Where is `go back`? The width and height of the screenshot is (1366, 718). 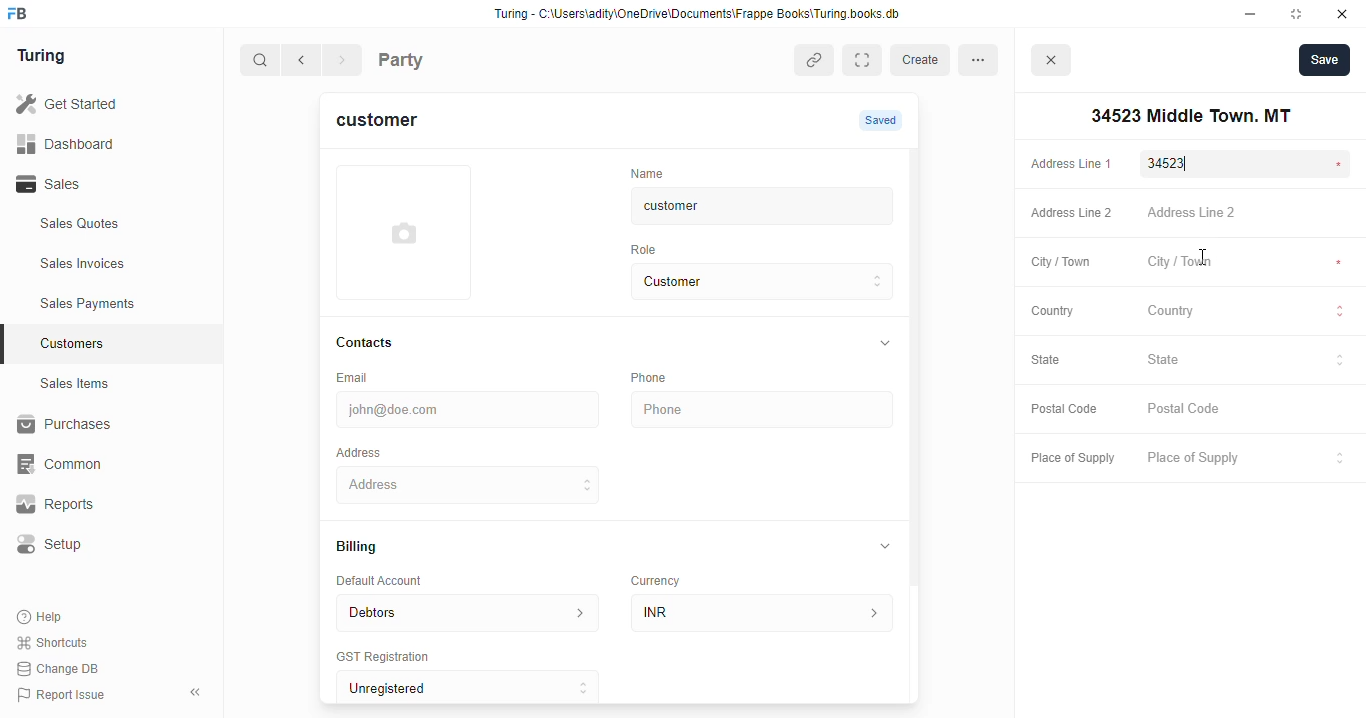
go back is located at coordinates (305, 61).